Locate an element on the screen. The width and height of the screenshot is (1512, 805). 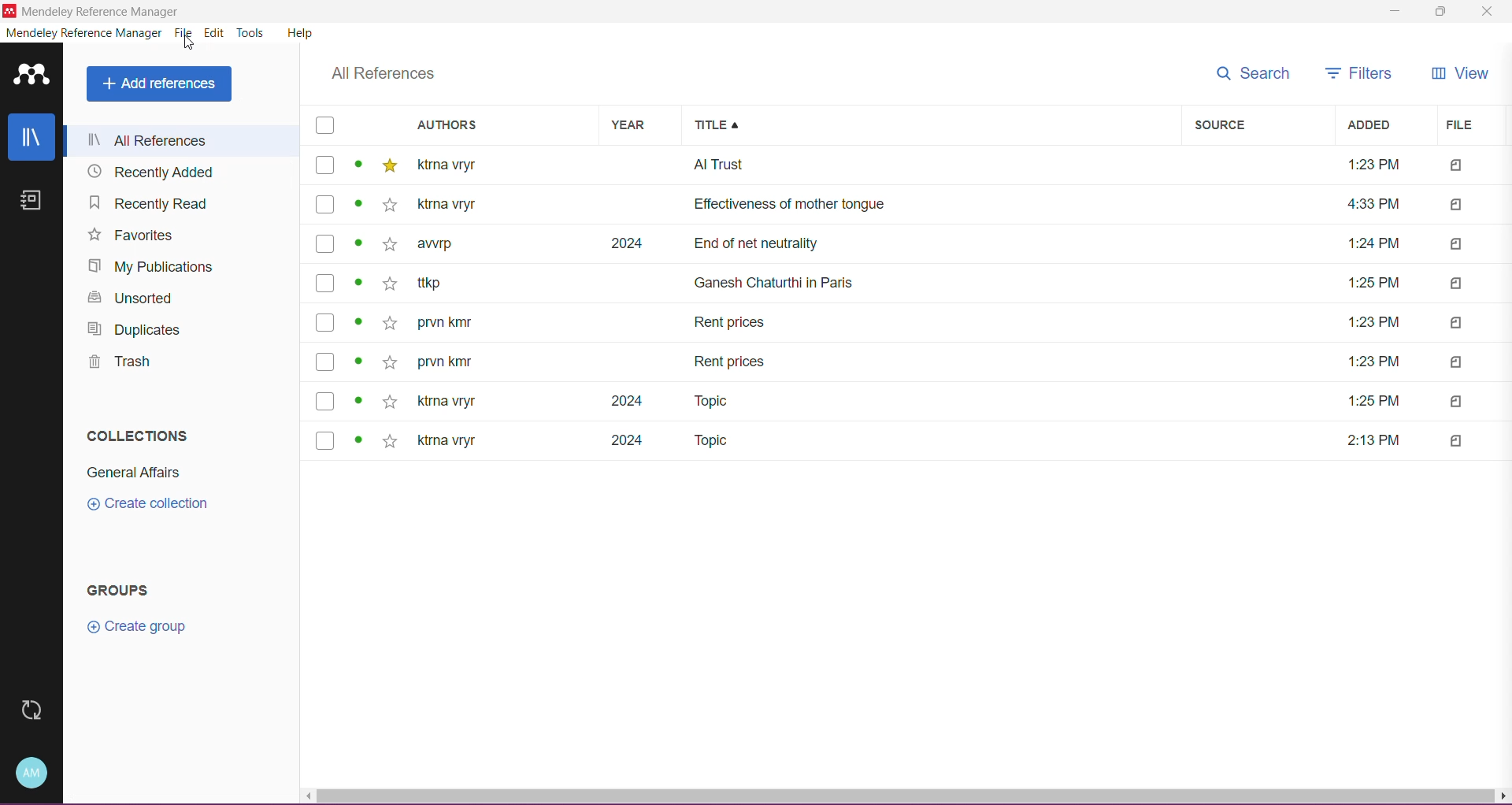
Recently Added is located at coordinates (146, 173).